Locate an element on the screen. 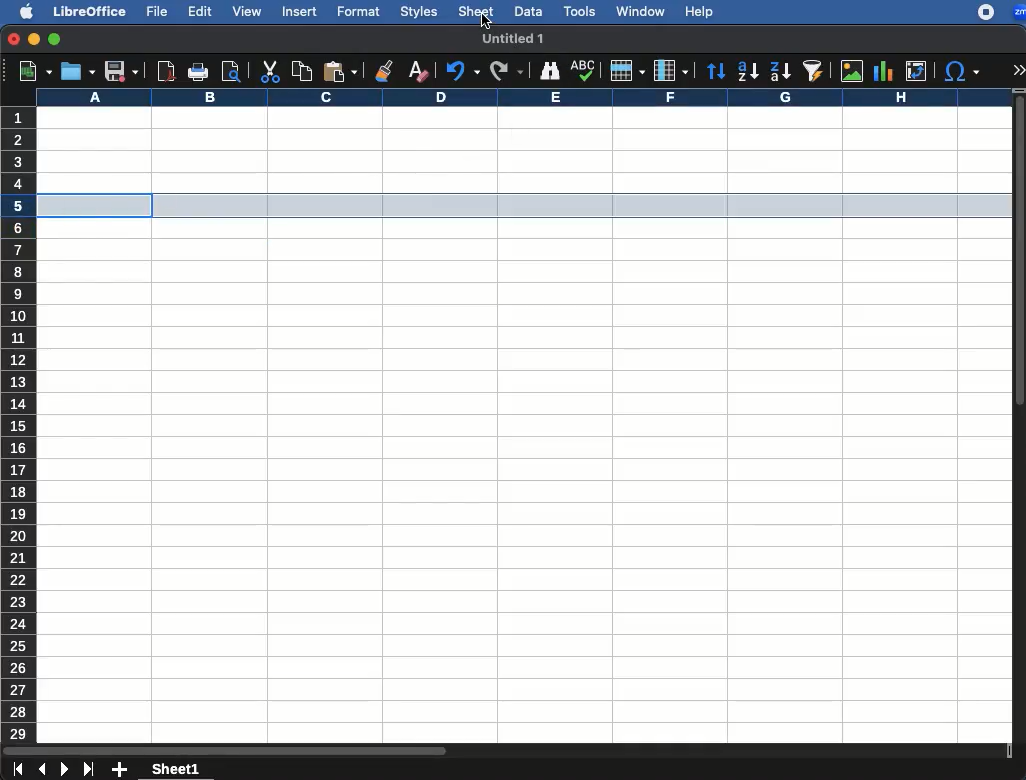 The height and width of the screenshot is (780, 1026). expand is located at coordinates (1019, 66).